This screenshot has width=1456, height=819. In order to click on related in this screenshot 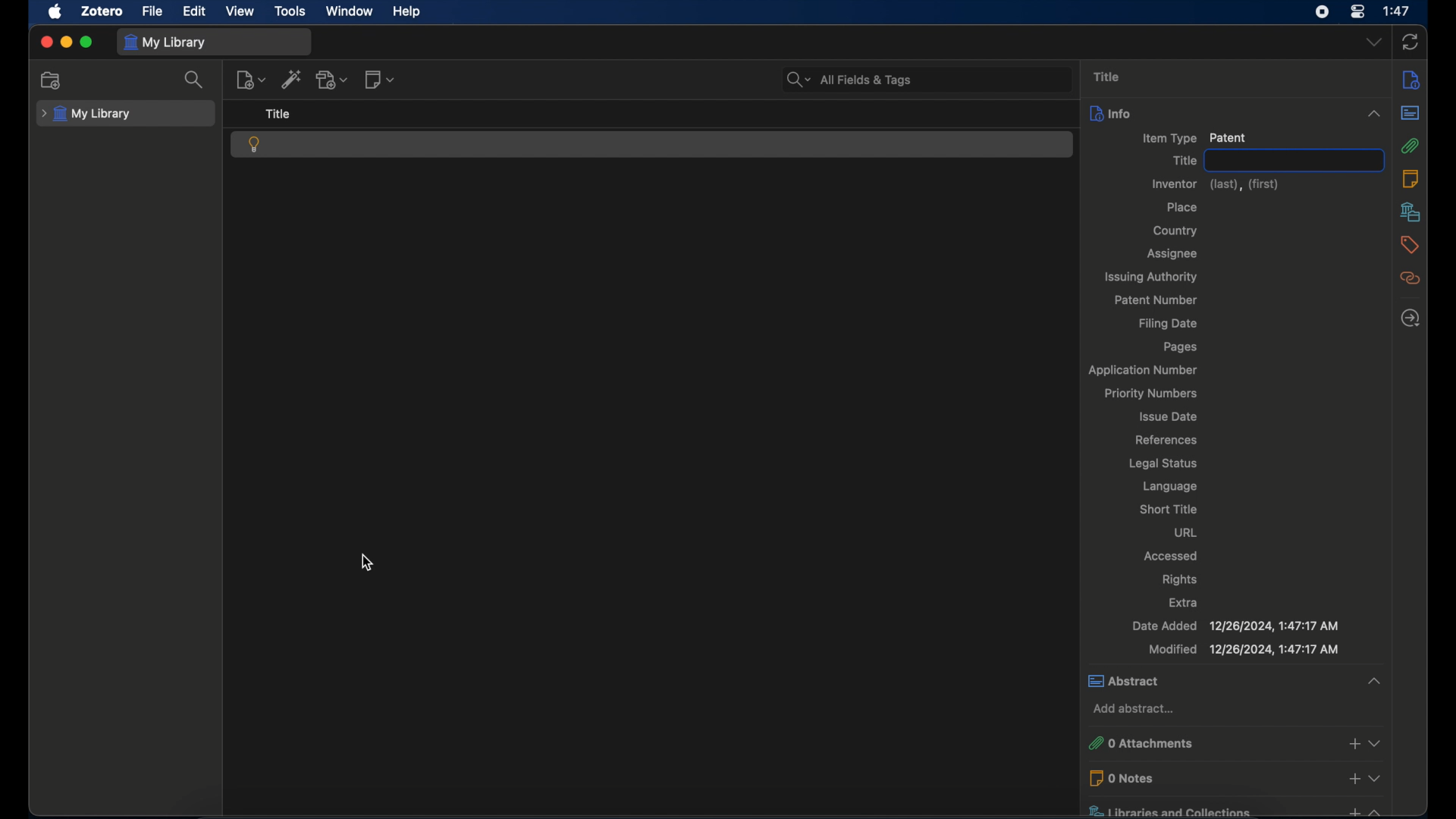, I will do `click(1410, 278)`.